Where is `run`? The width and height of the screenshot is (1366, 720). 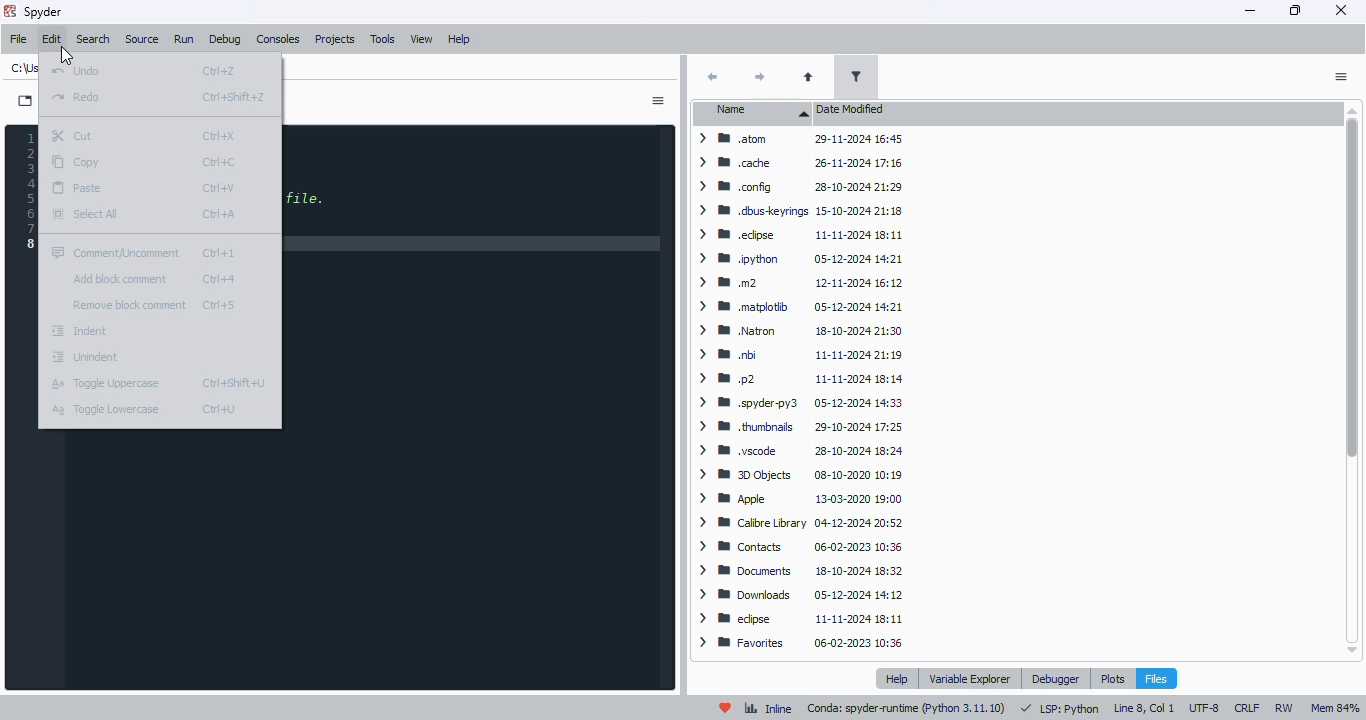 run is located at coordinates (182, 39).